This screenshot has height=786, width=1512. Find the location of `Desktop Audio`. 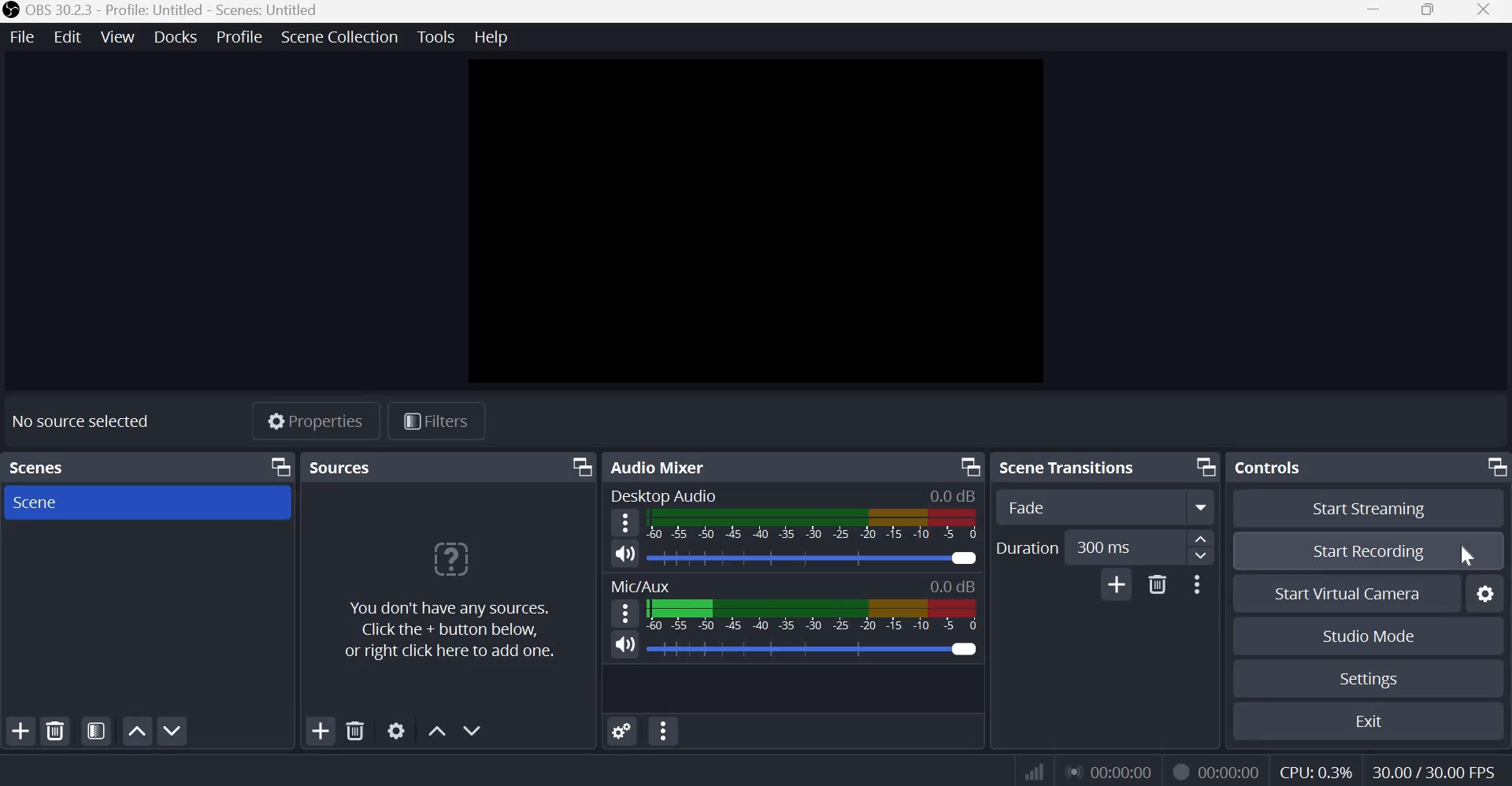

Desktop Audio is located at coordinates (664, 496).